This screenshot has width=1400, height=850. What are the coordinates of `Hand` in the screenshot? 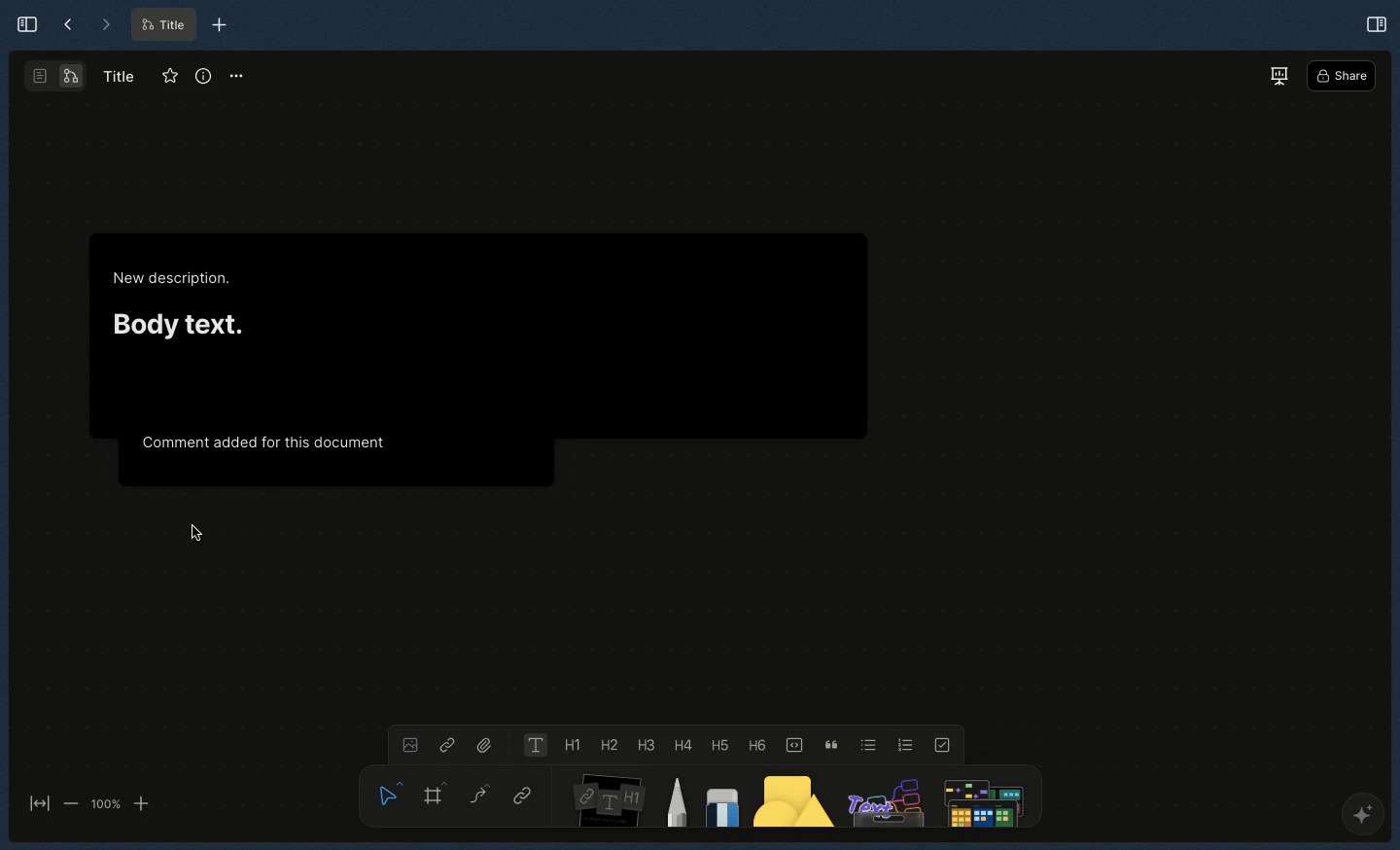 It's located at (385, 791).